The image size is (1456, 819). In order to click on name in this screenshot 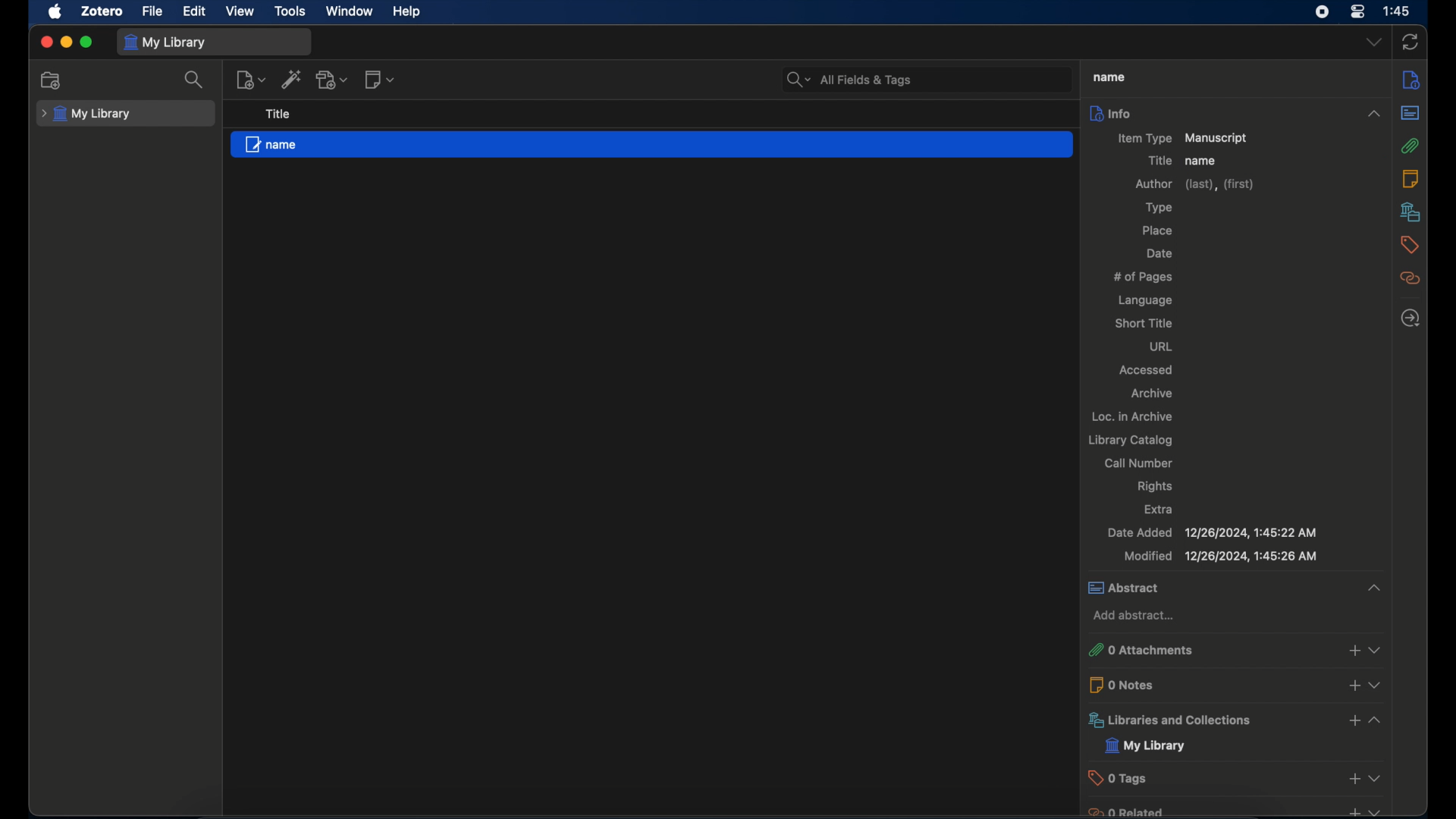, I will do `click(1202, 161)`.